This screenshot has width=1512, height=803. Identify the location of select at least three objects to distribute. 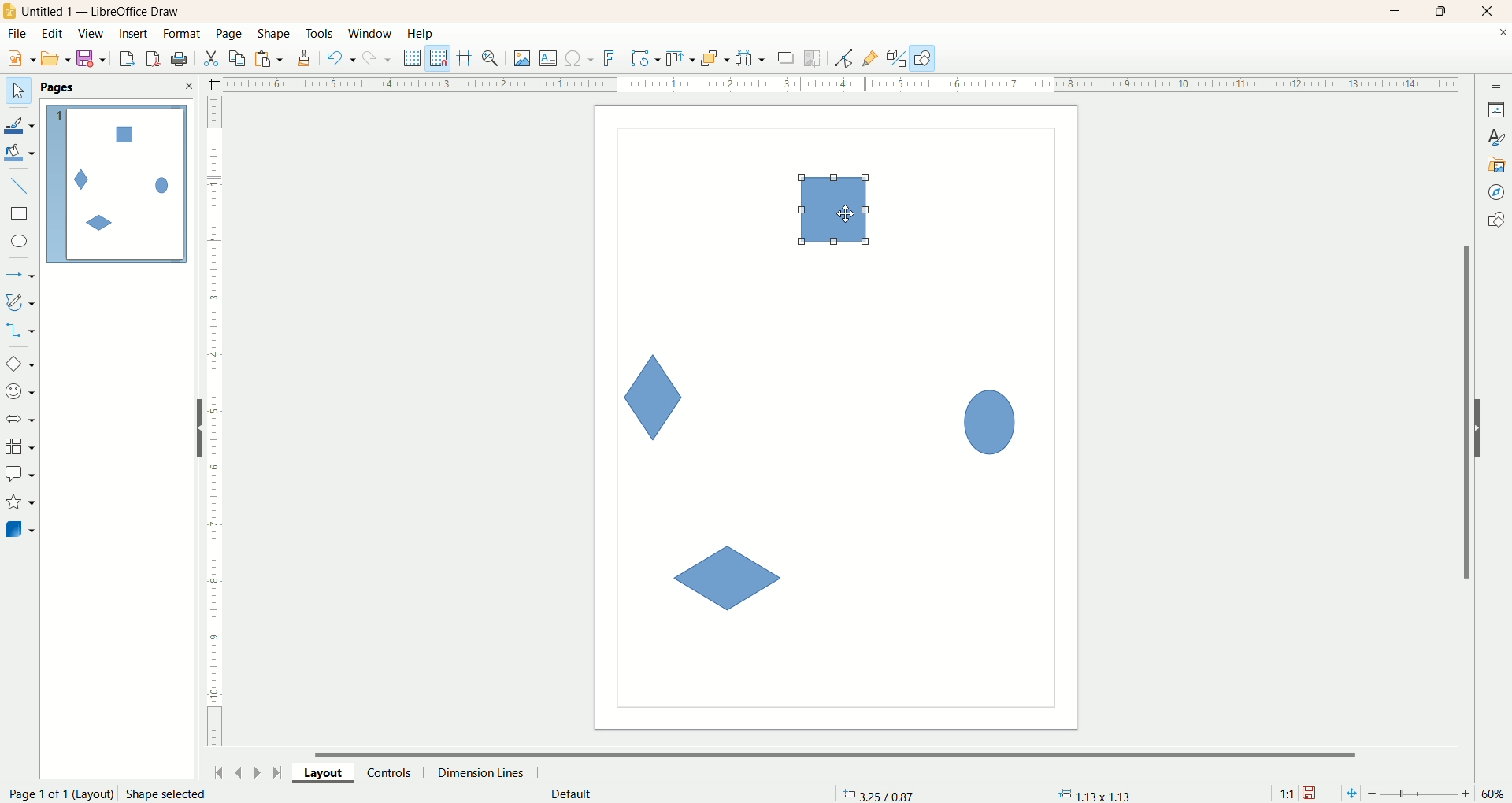
(751, 58).